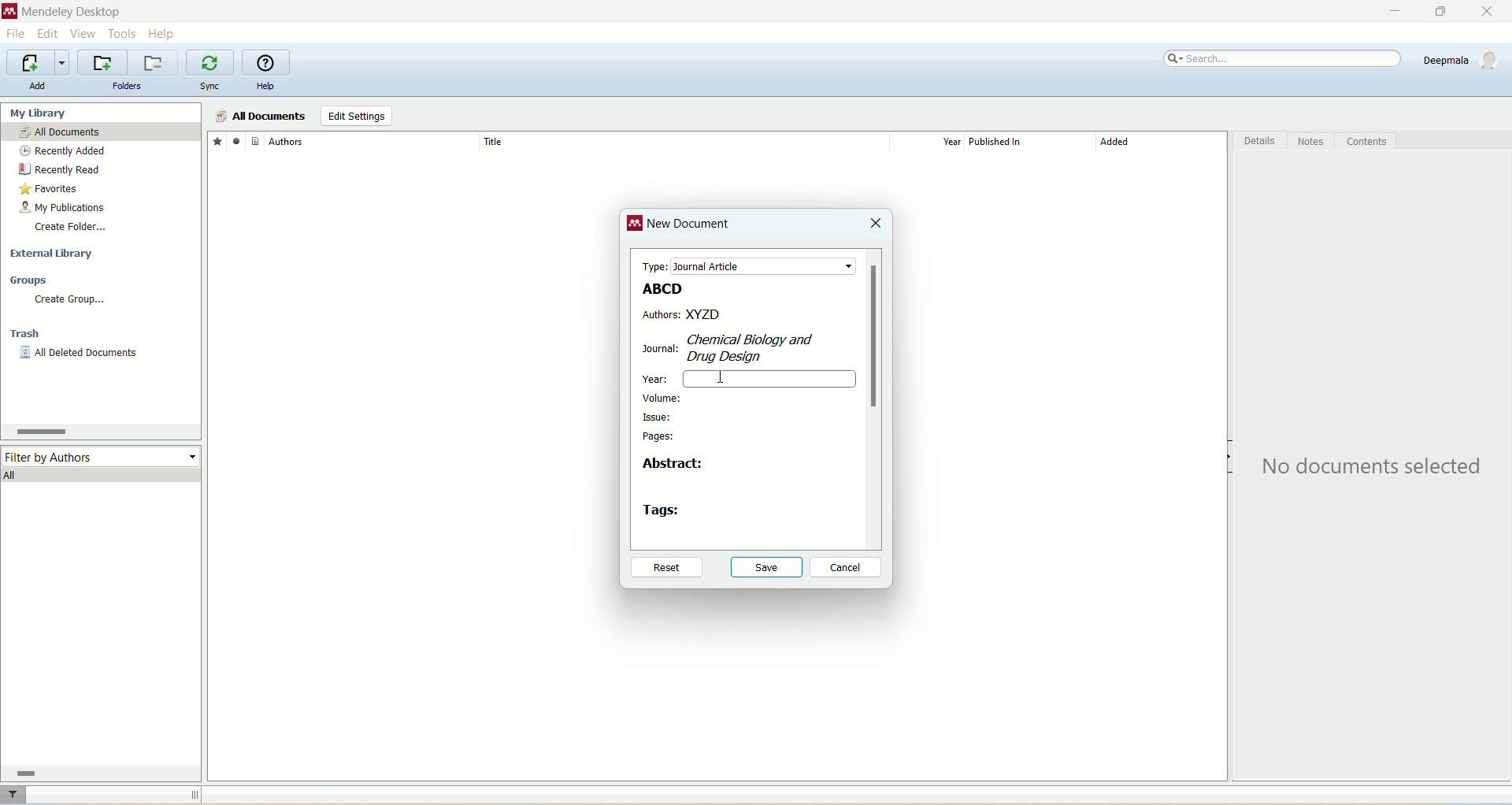  Describe the element at coordinates (54, 254) in the screenshot. I see `external library` at that location.